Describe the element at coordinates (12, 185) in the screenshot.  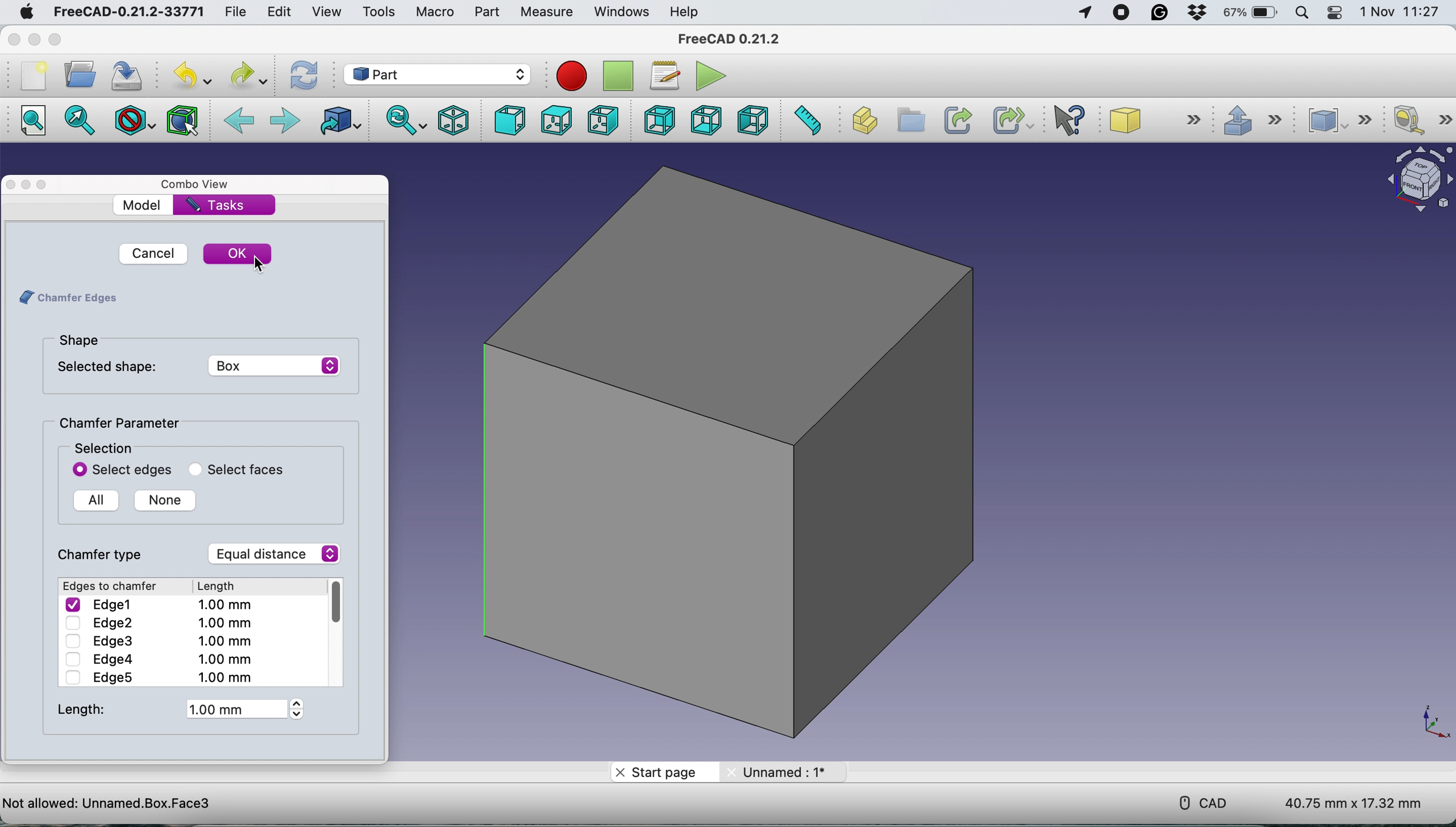
I see `close` at that location.